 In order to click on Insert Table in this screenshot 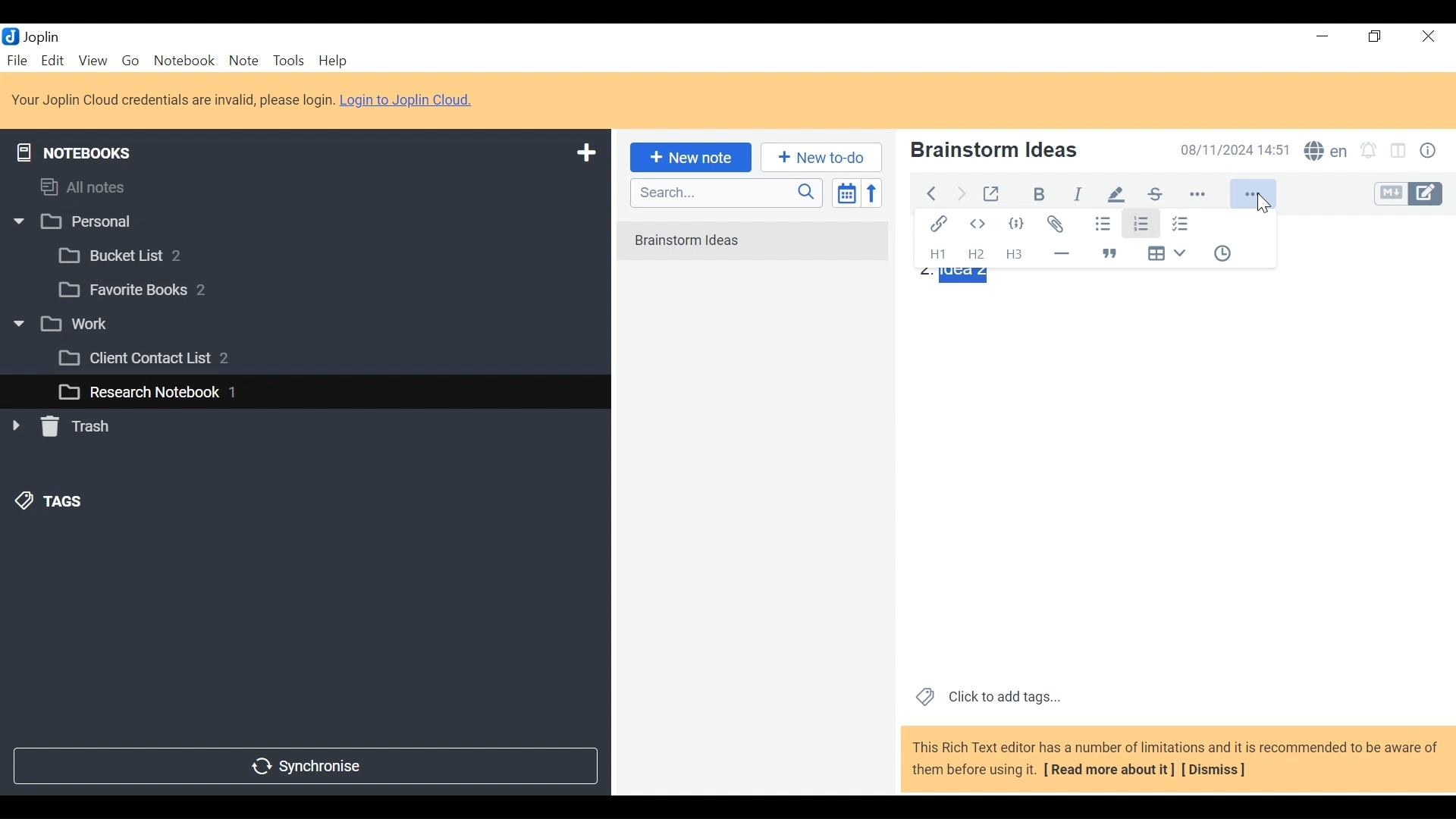, I will do `click(1163, 253)`.